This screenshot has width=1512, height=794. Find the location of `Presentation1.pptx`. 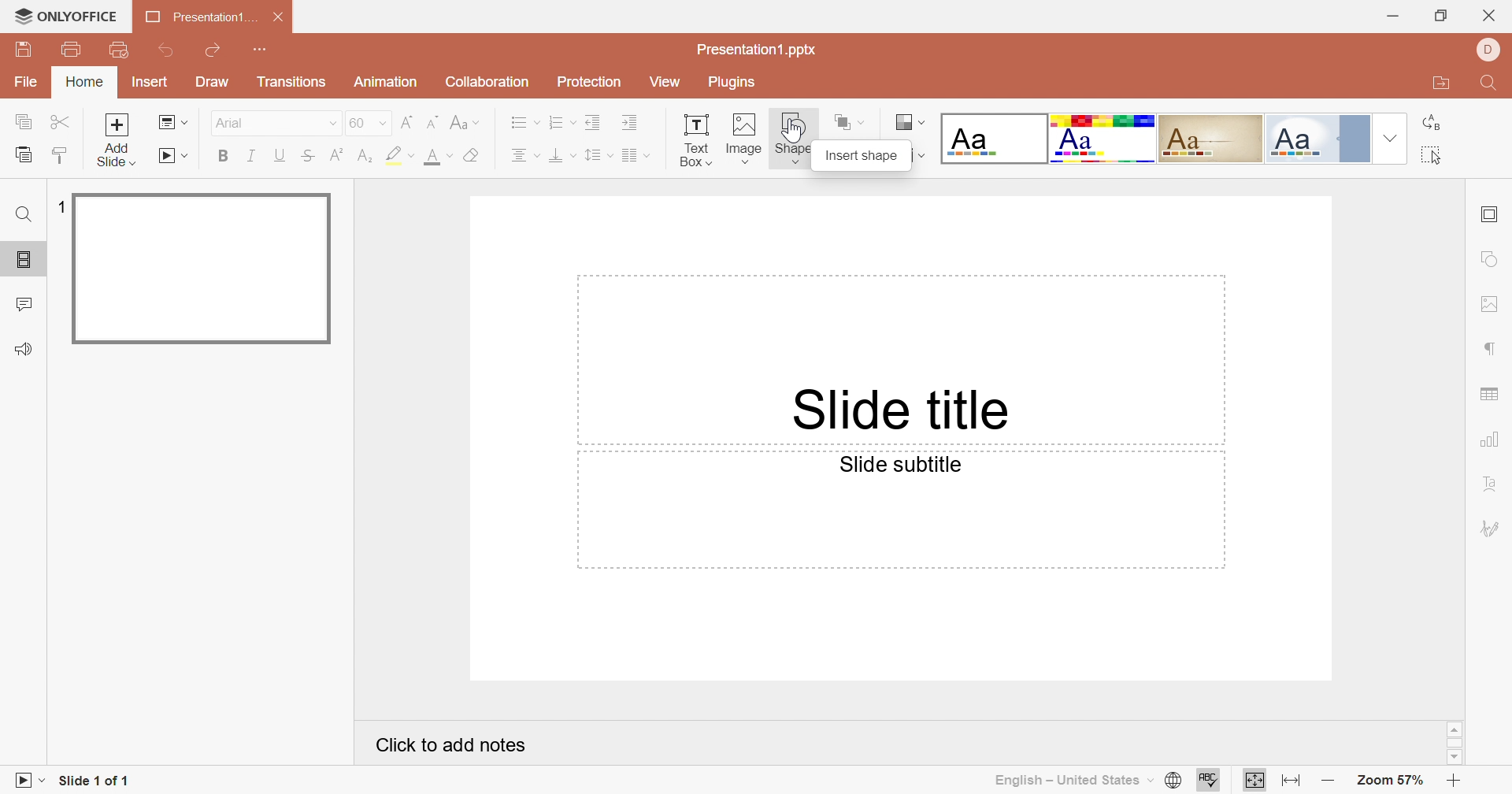

Presentation1.pptx is located at coordinates (755, 50).